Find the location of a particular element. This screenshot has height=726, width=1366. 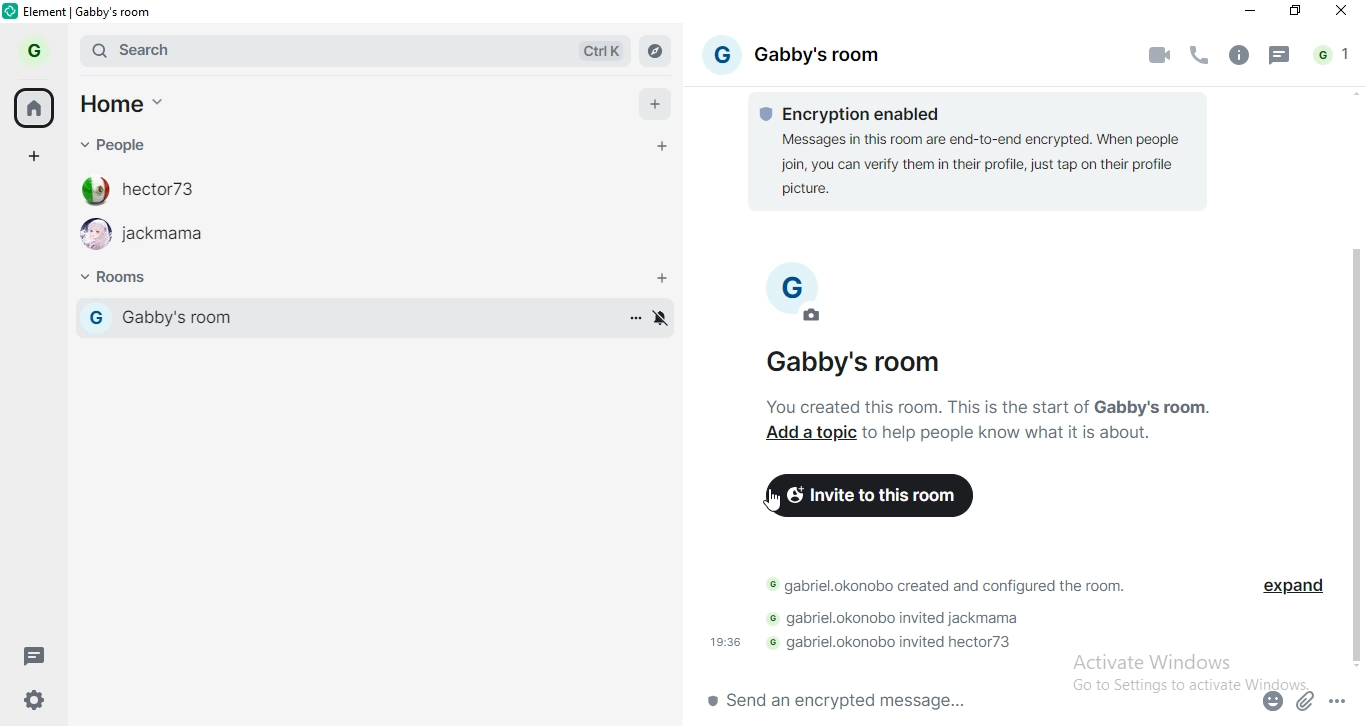

elements is located at coordinates (99, 11).